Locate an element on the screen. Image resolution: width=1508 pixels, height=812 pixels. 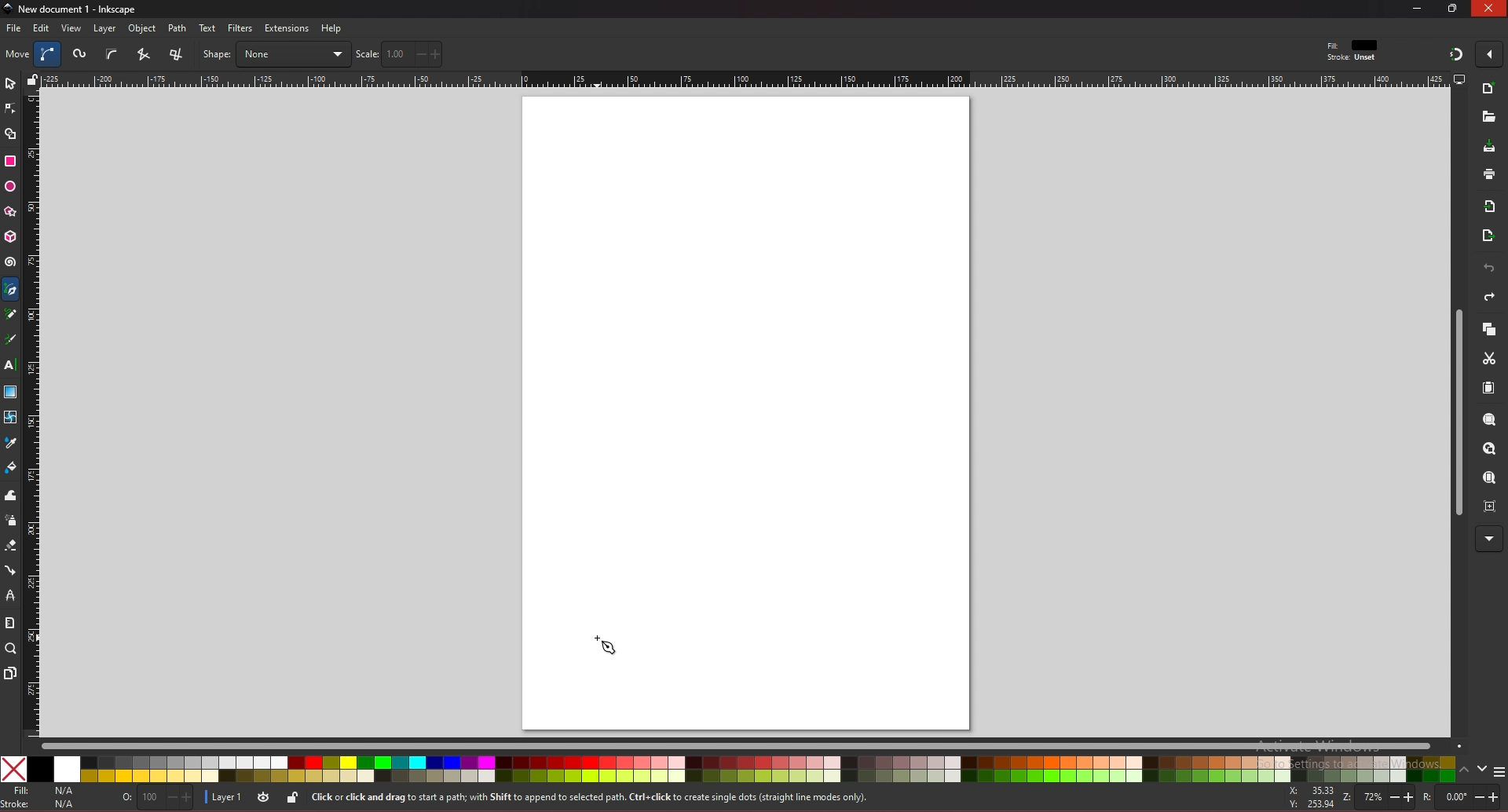
paint bucket is located at coordinates (11, 466).